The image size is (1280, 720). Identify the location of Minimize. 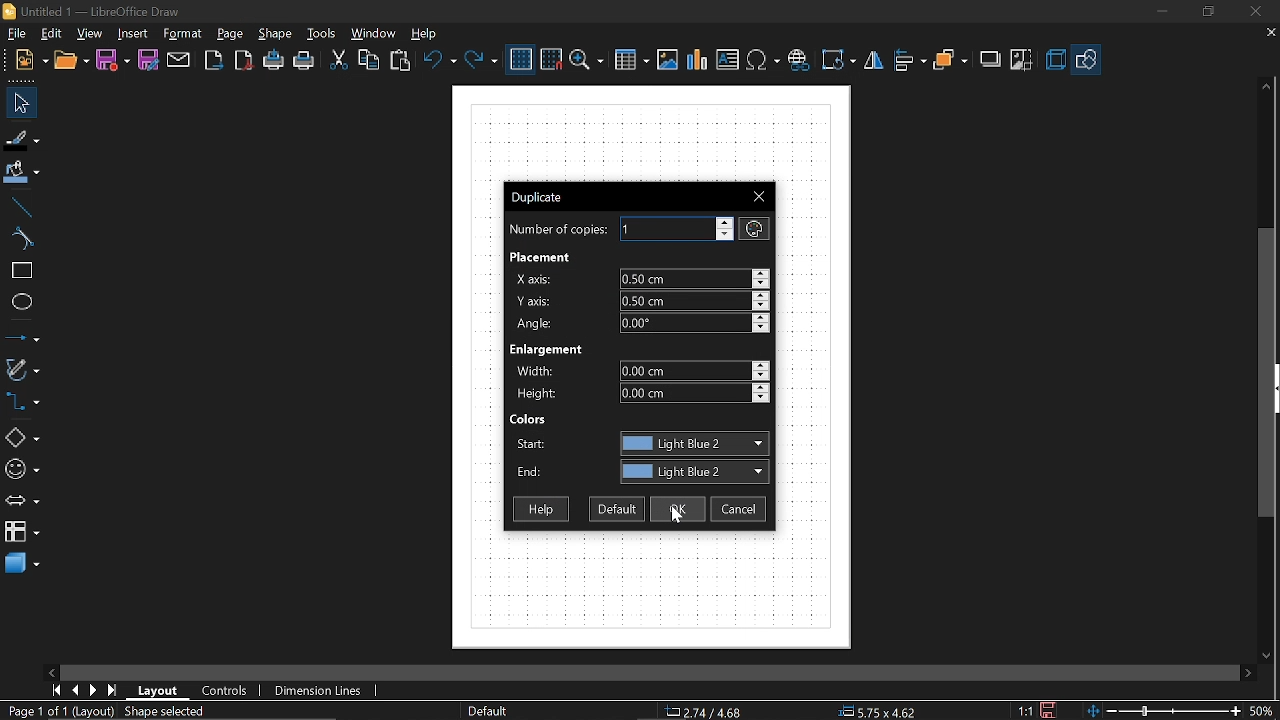
(1158, 11).